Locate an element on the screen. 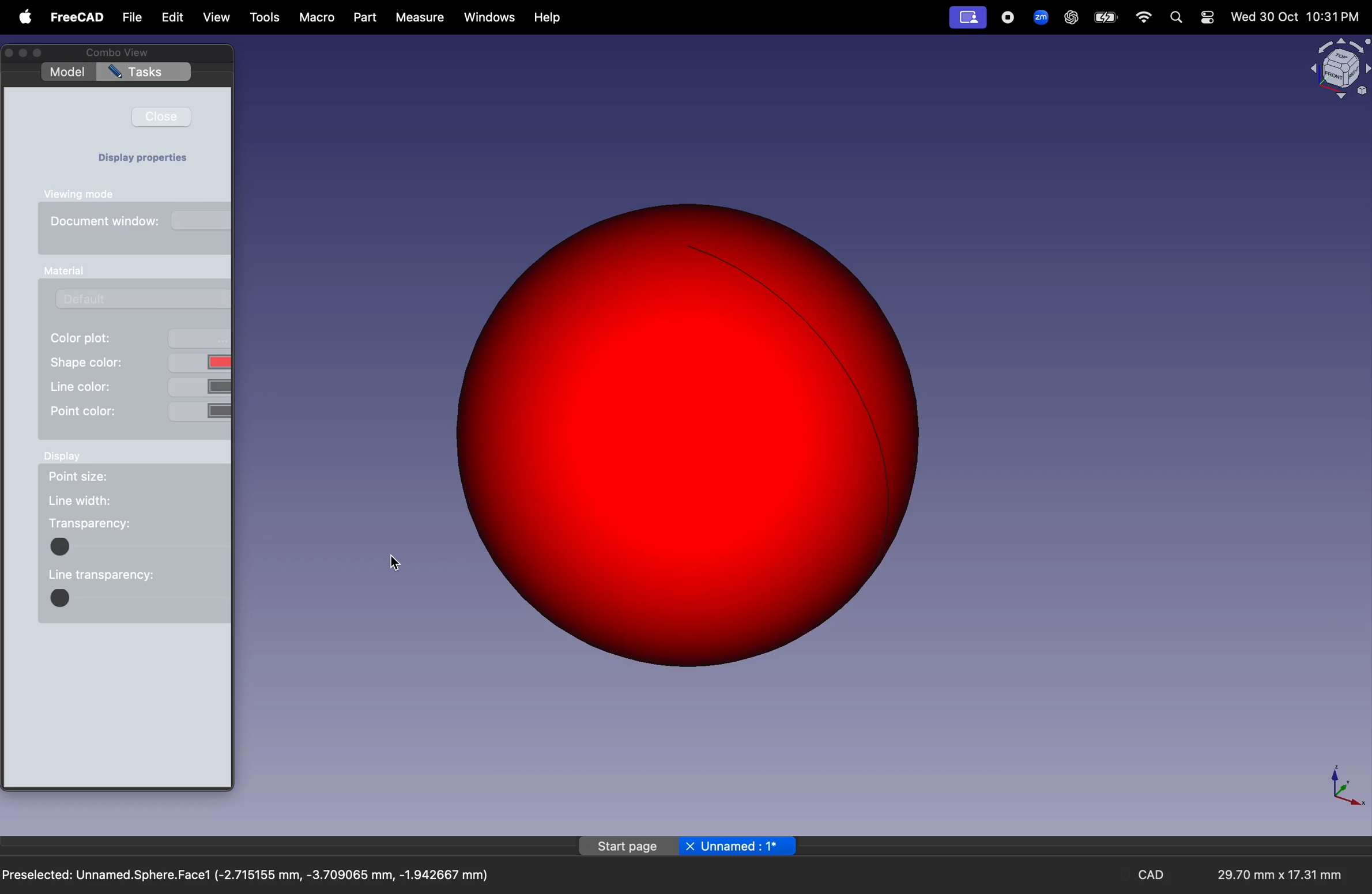 The image size is (1372, 894). point color is located at coordinates (138, 411).